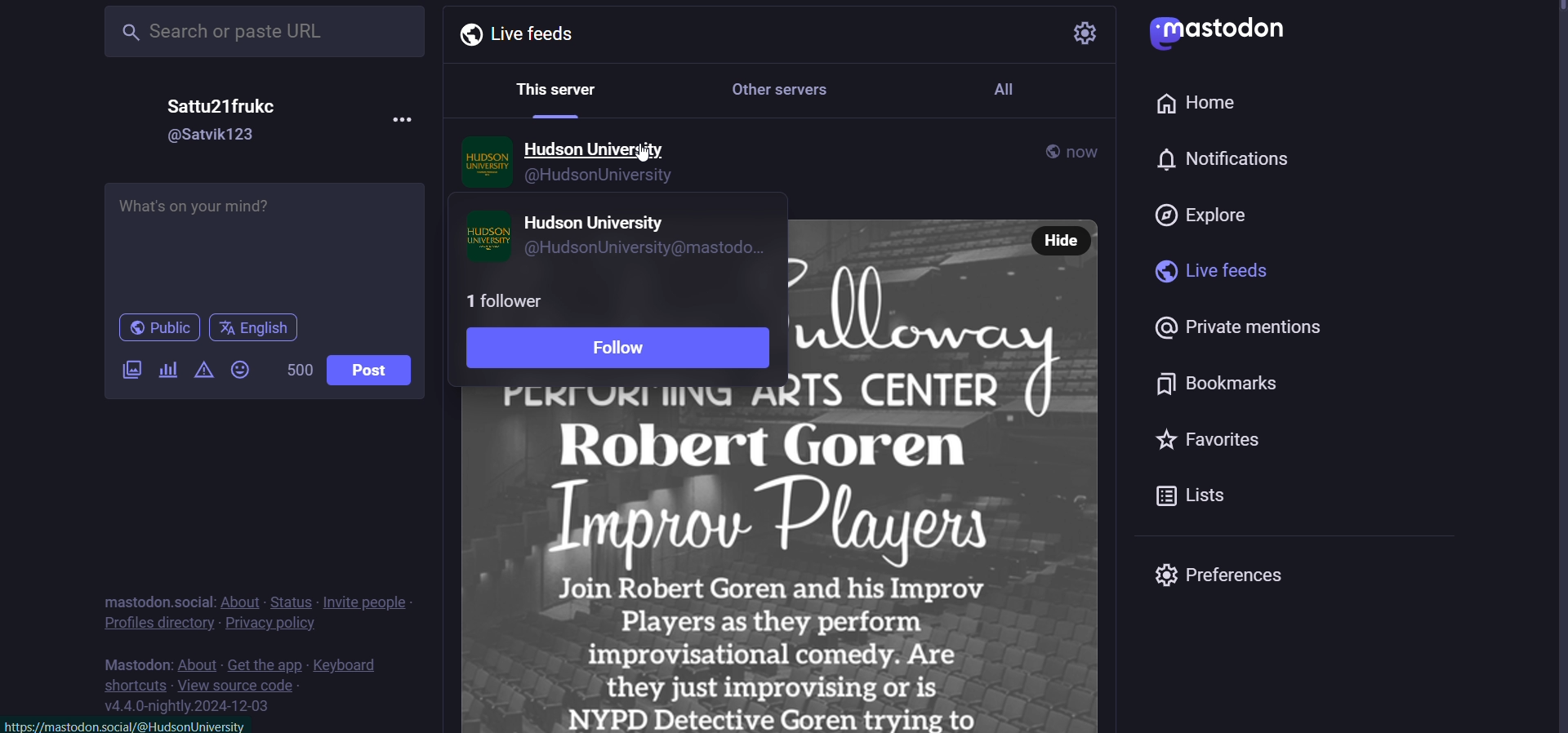 This screenshot has width=1568, height=733. Describe the element at coordinates (778, 91) in the screenshot. I see `other server` at that location.